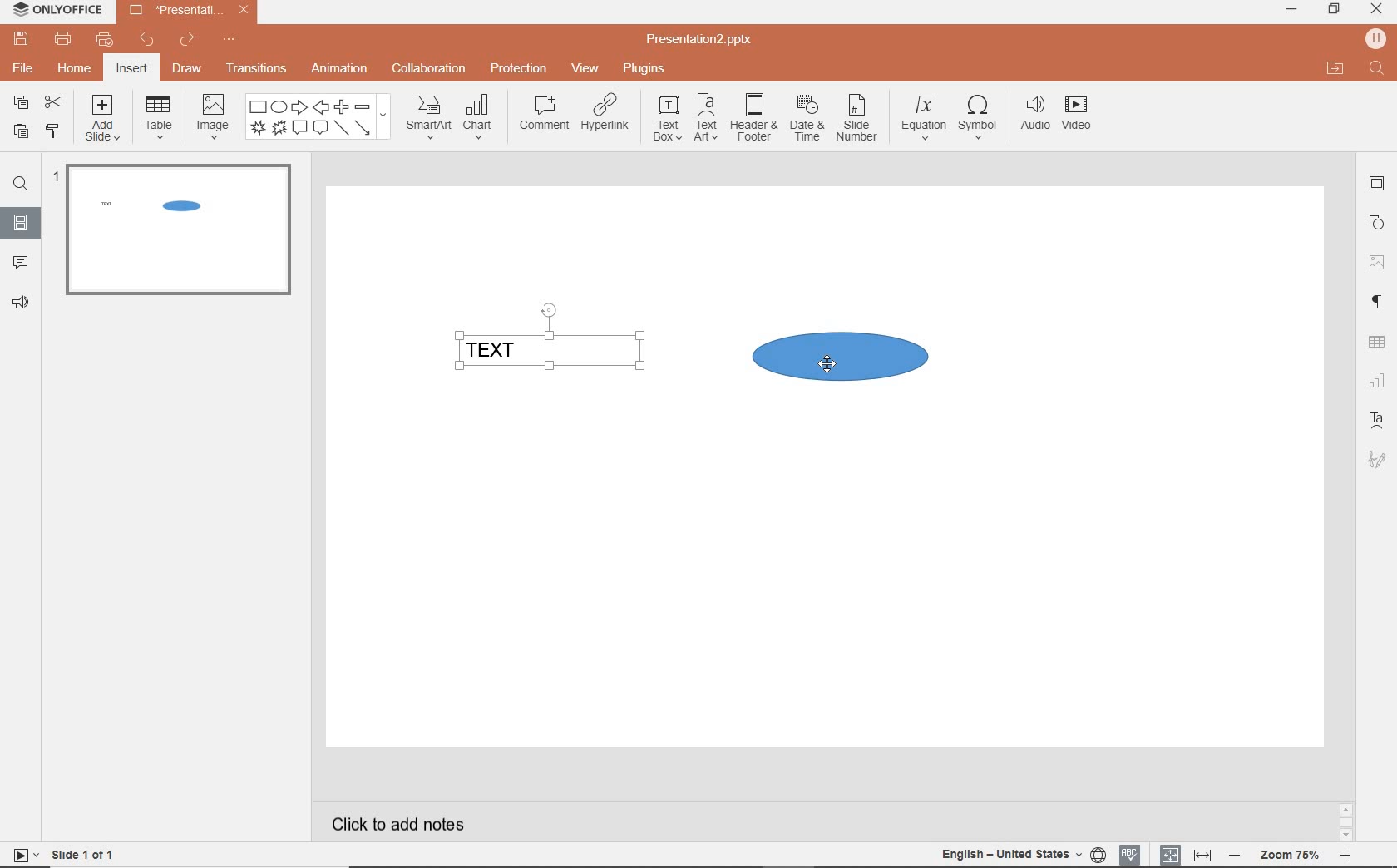 The width and height of the screenshot is (1397, 868). Describe the element at coordinates (704, 116) in the screenshot. I see `textart` at that location.